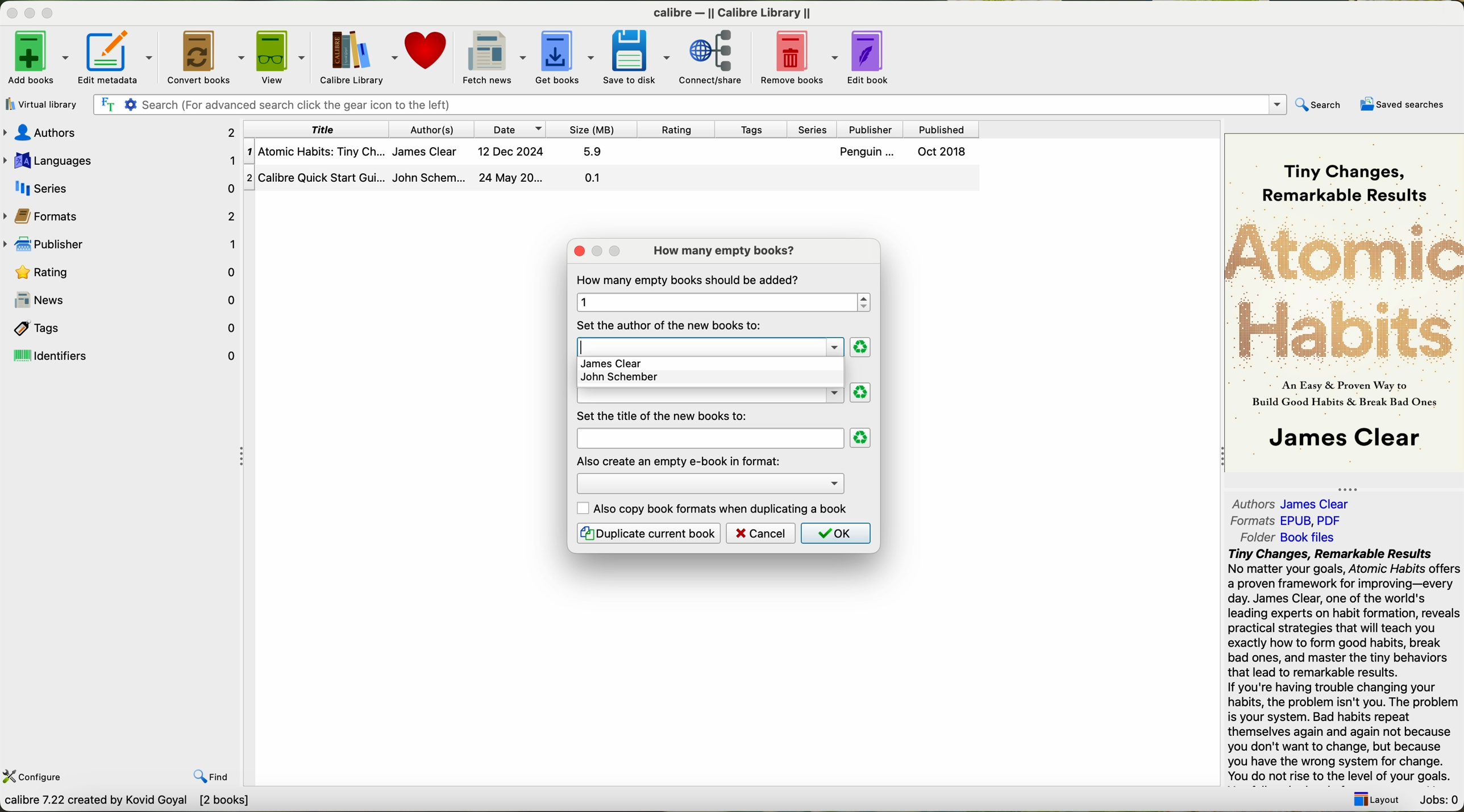 The image size is (1464, 812). I want to click on tags, so click(121, 327).